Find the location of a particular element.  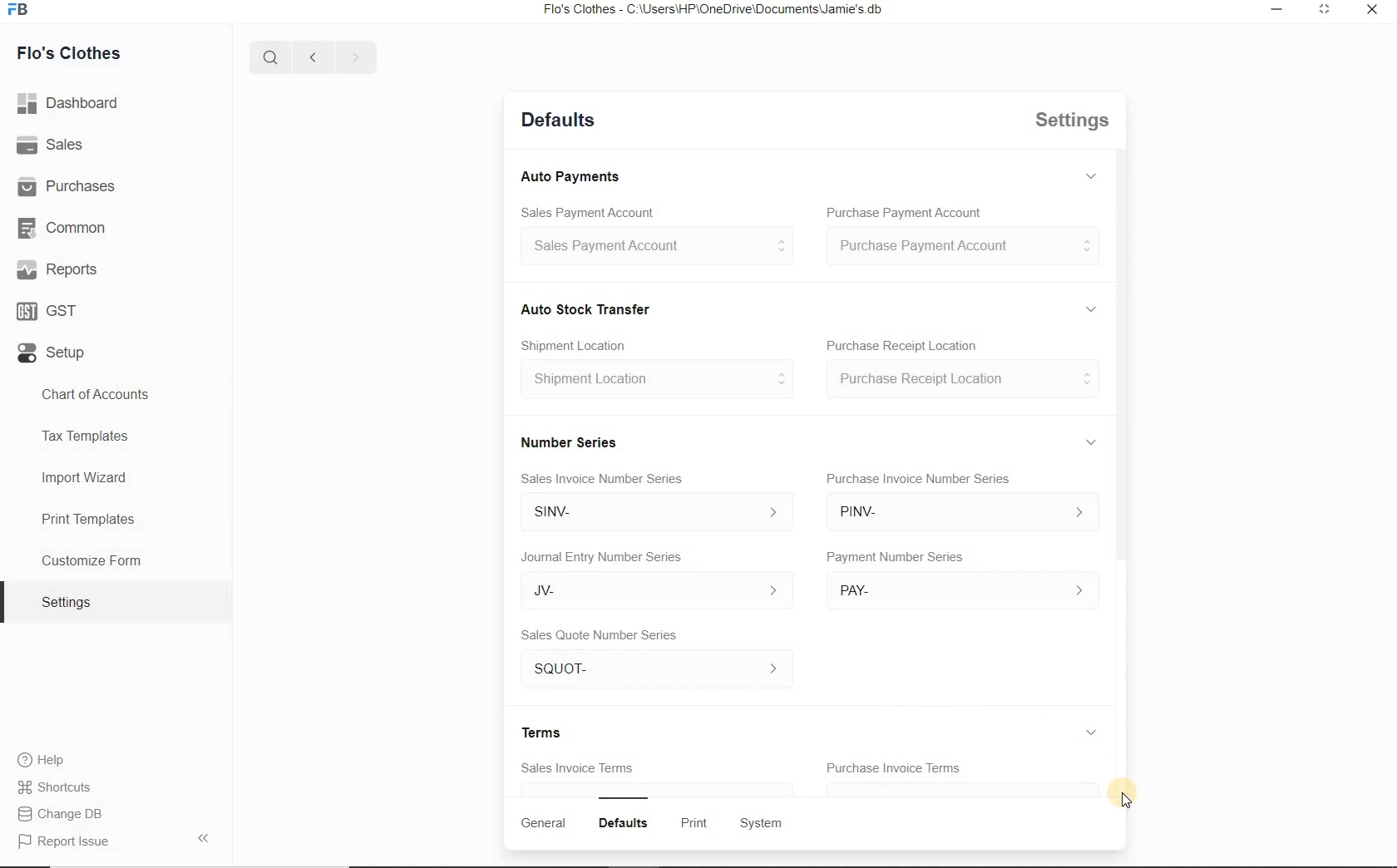

Expand is located at coordinates (1096, 731).